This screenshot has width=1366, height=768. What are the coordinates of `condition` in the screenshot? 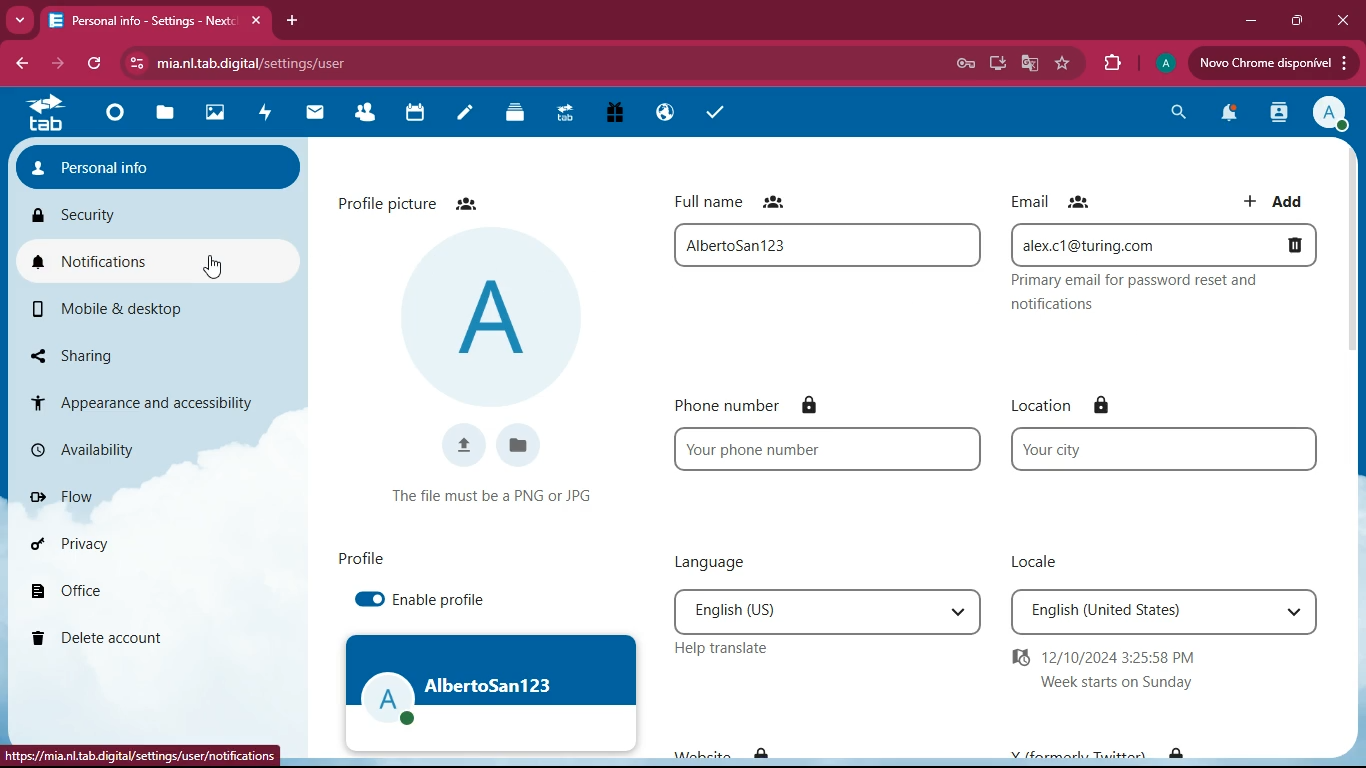 It's located at (495, 493).